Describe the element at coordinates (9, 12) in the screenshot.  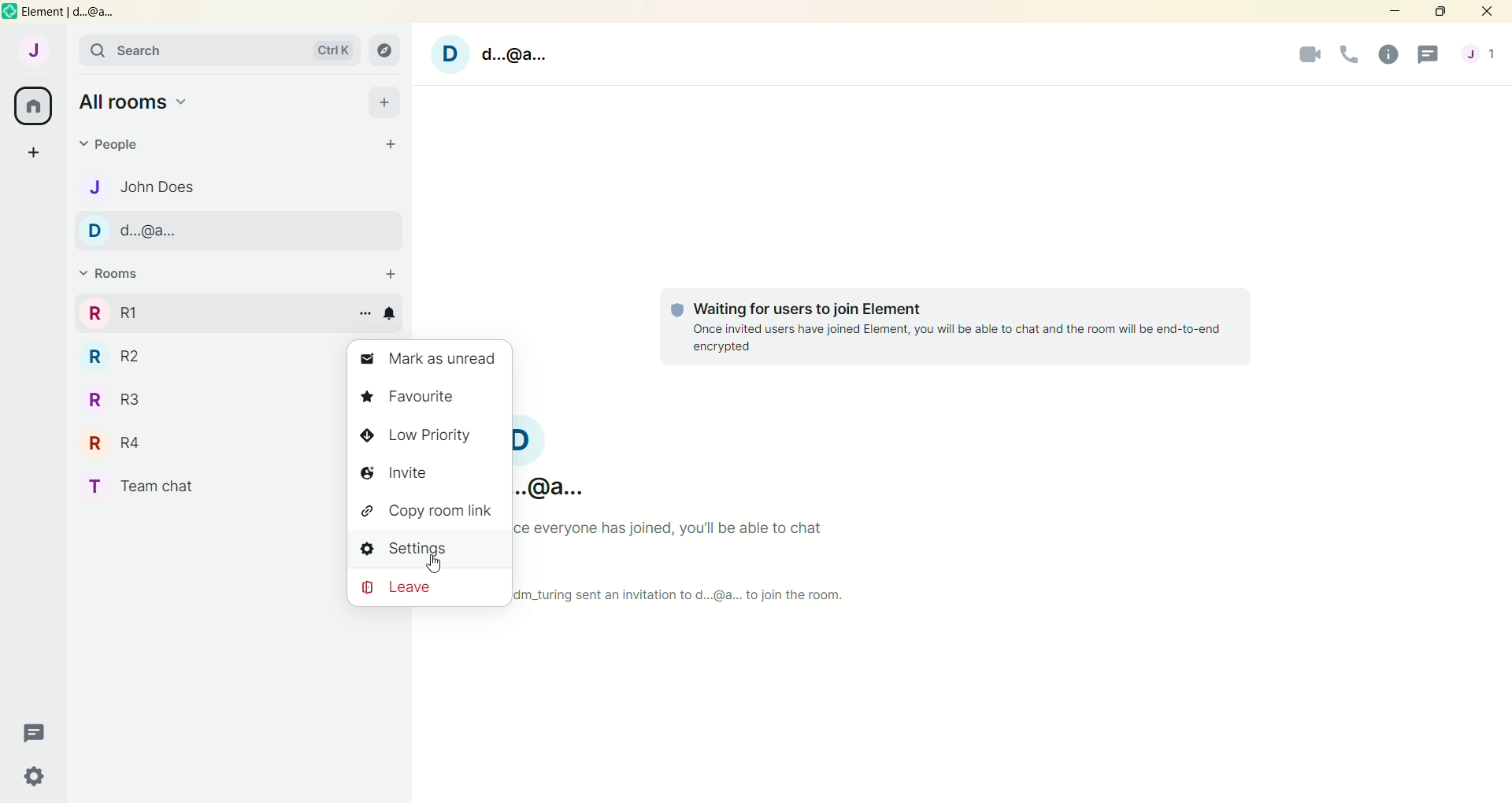
I see `logo` at that location.